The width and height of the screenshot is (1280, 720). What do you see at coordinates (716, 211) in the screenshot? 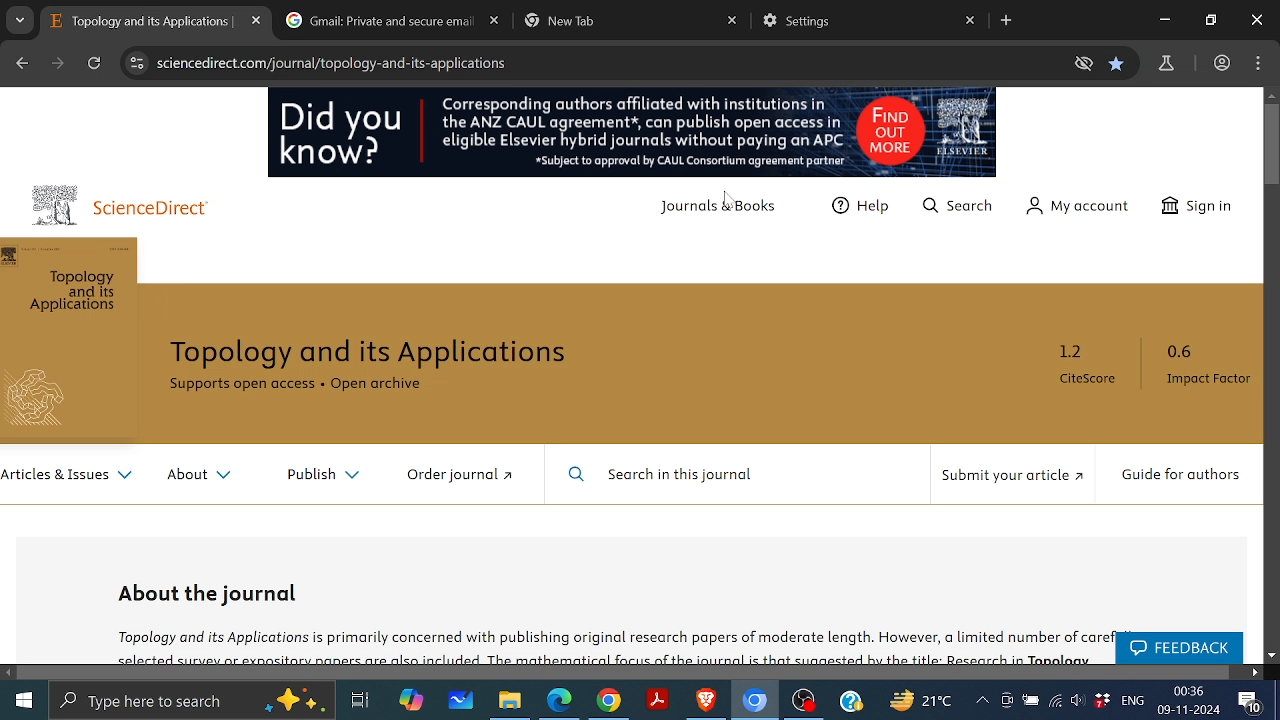
I see `journal and books` at bounding box center [716, 211].